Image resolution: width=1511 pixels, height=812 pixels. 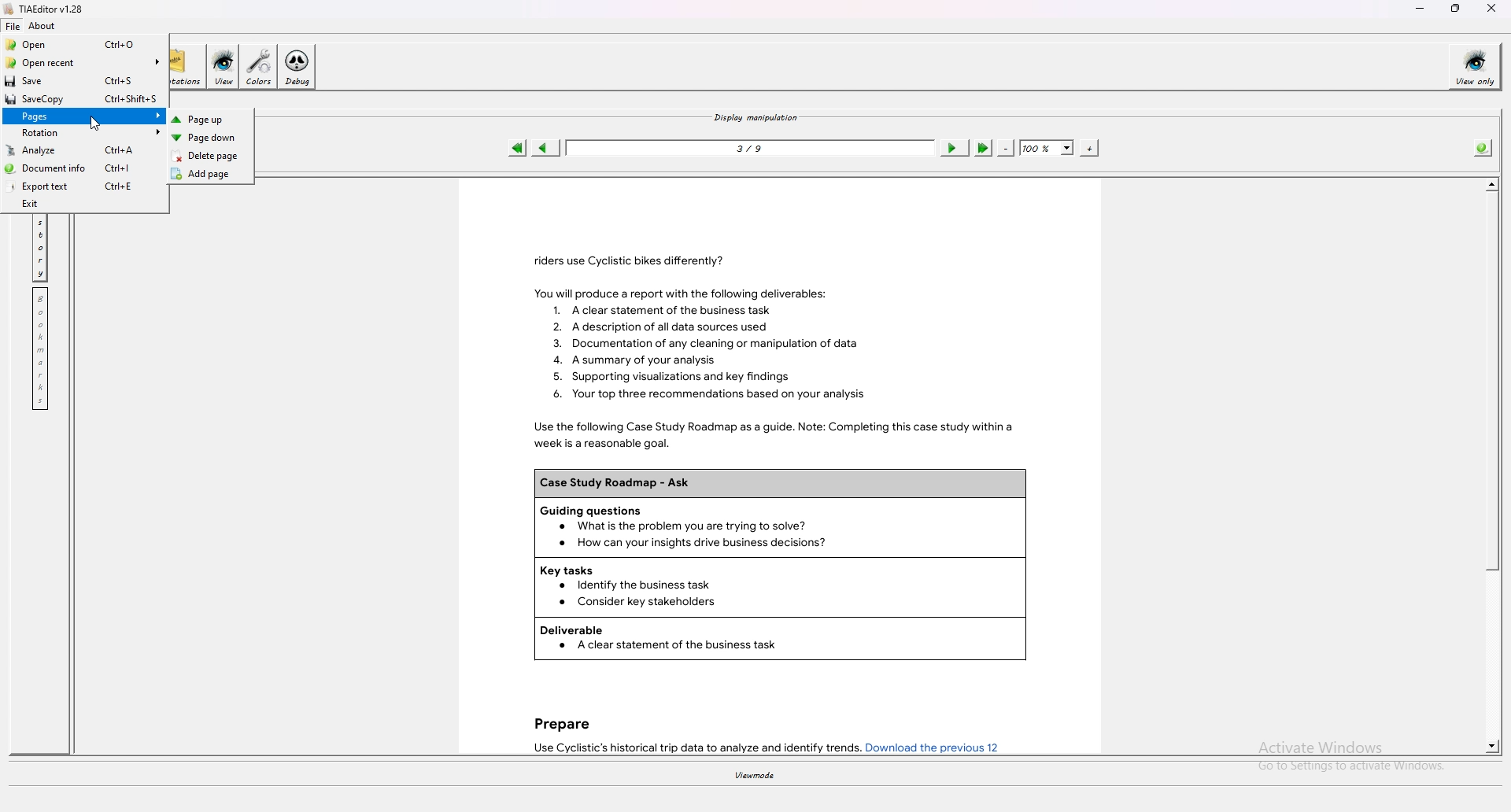 I want to click on zoom out, so click(x=1005, y=147).